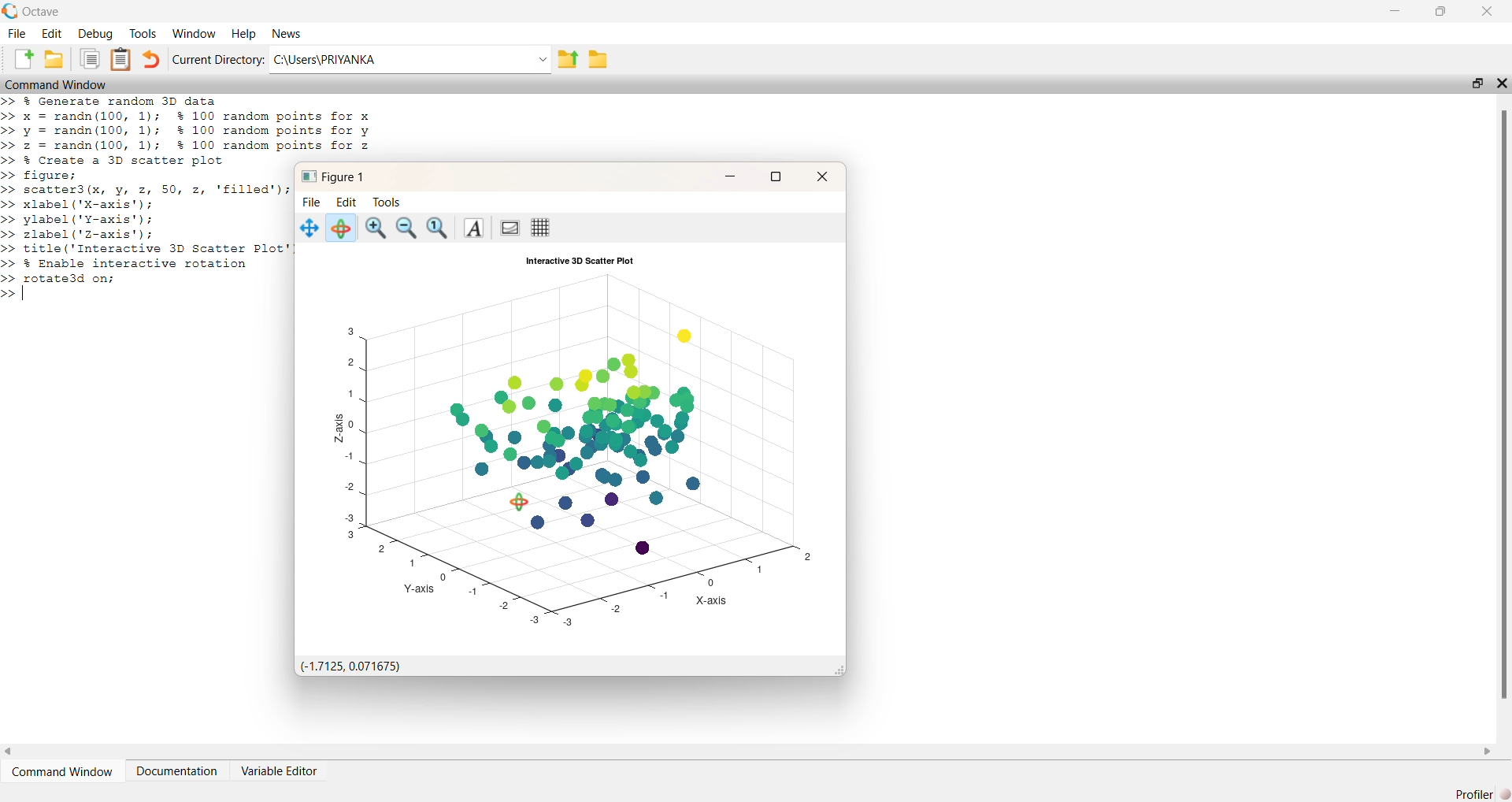 This screenshot has height=802, width=1512. I want to click on Command Window, so click(55, 84).